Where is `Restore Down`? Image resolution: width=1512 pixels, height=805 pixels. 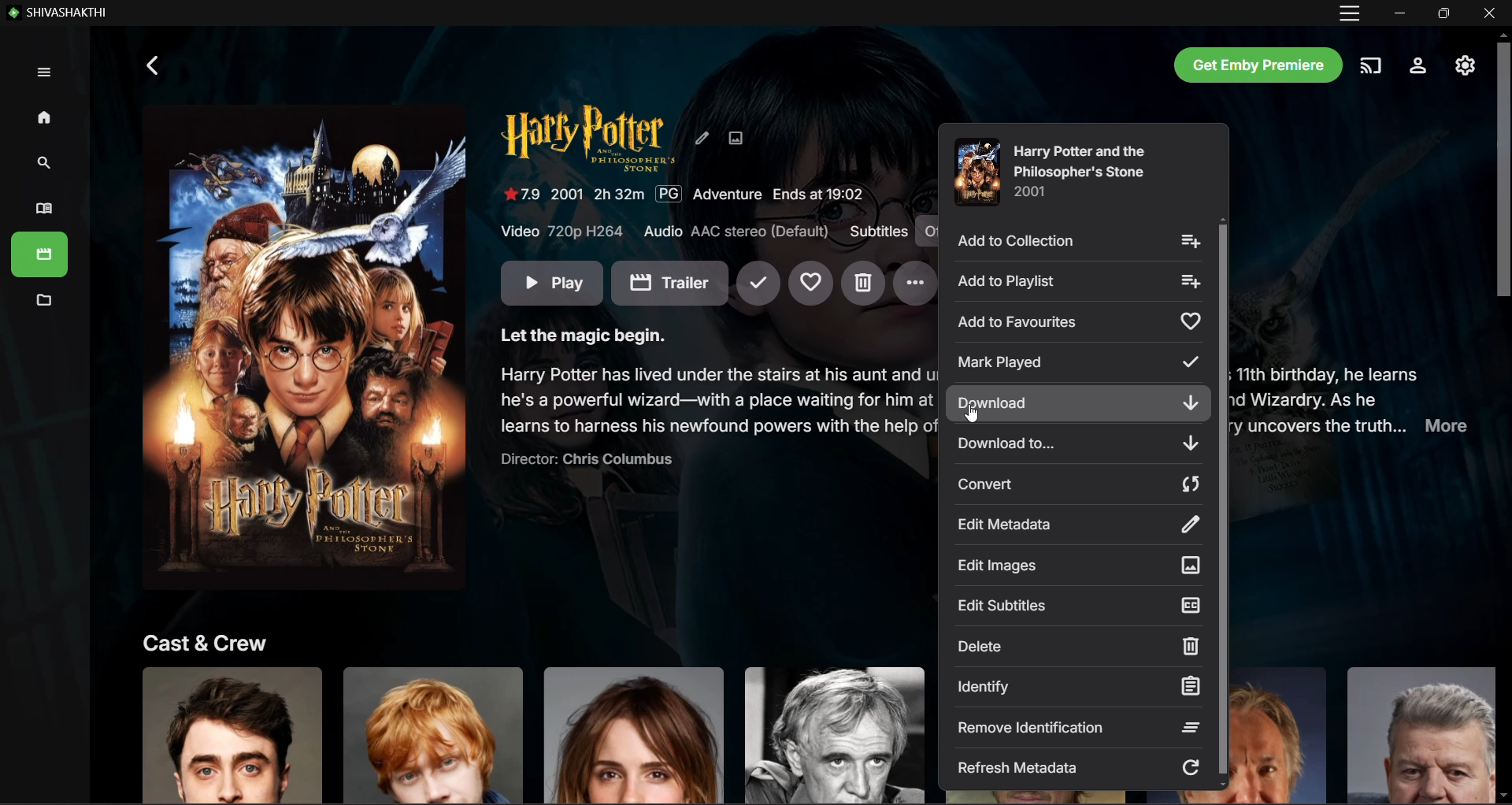
Restore Down is located at coordinates (1443, 13).